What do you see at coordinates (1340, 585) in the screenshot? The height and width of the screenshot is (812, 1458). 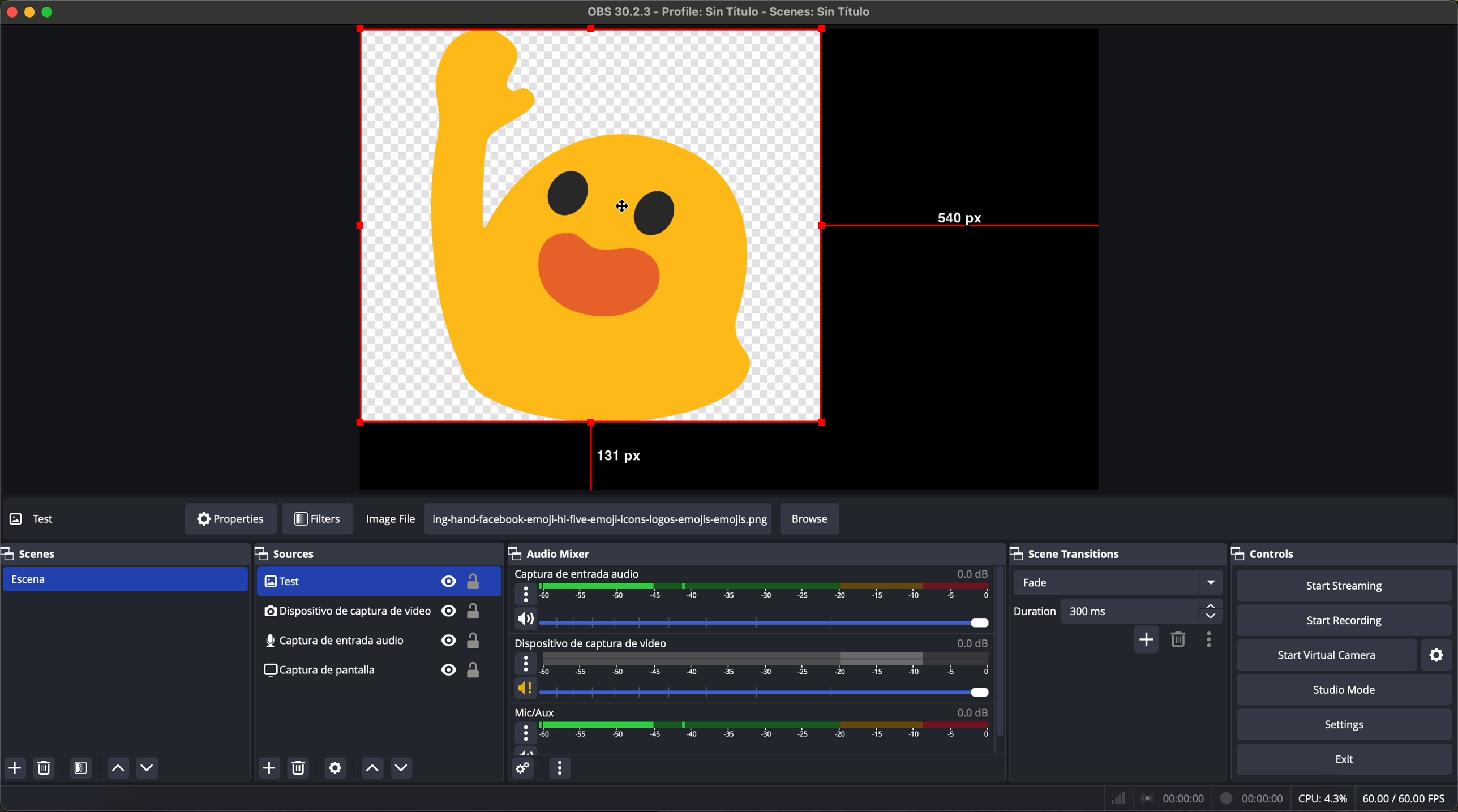 I see `start streaming` at bounding box center [1340, 585].